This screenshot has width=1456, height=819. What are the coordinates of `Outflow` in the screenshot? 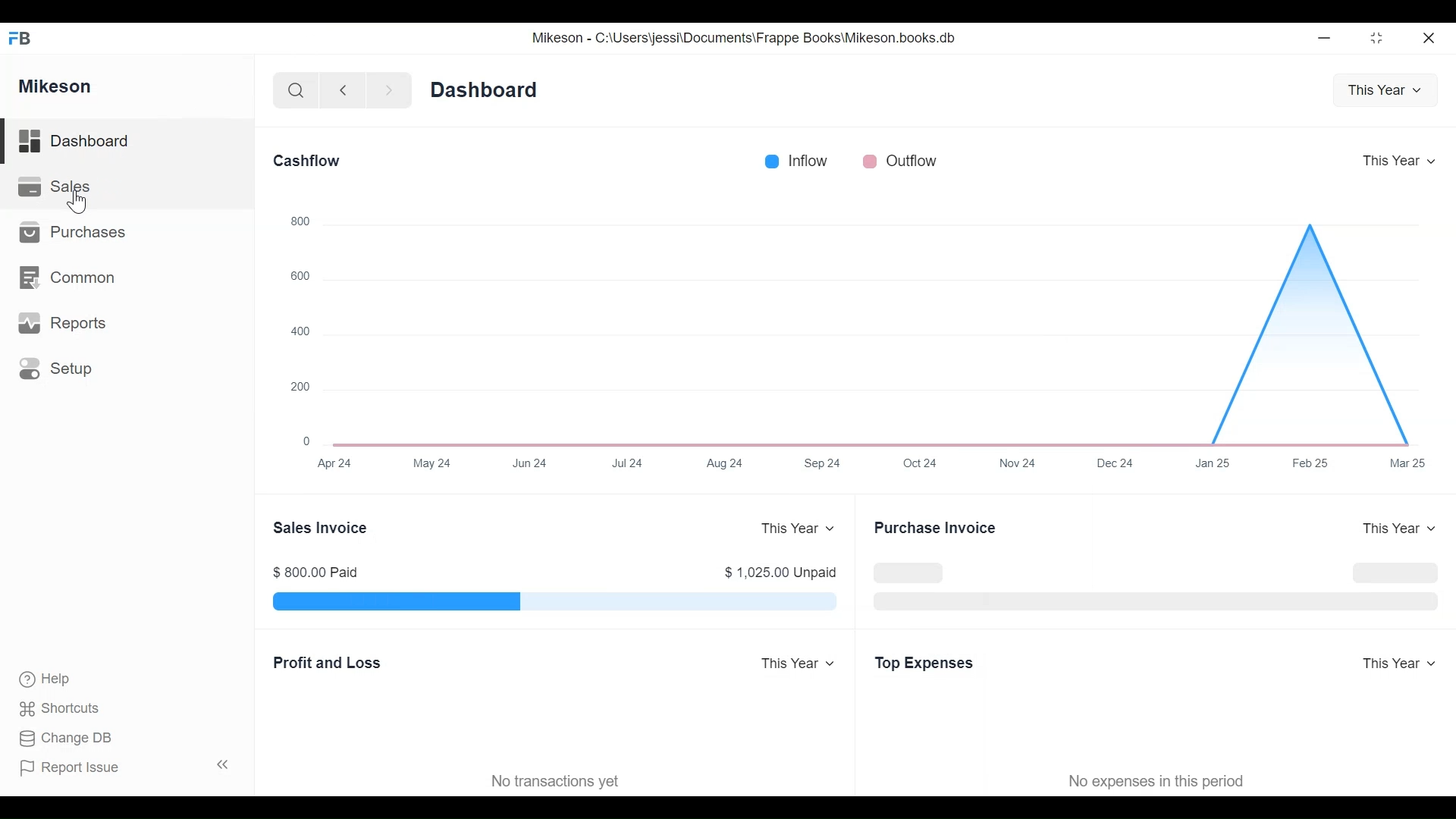 It's located at (900, 159).